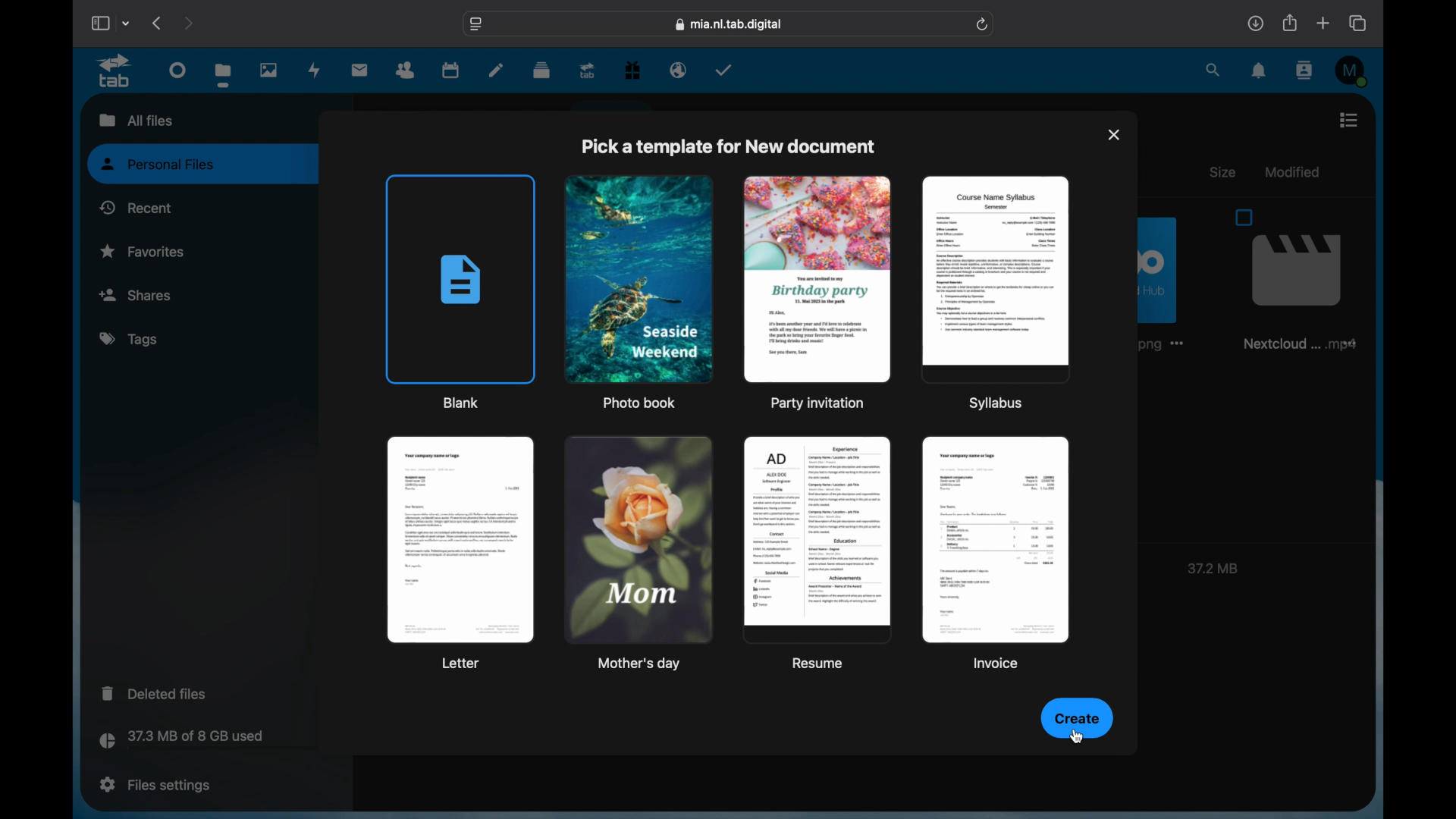 The image size is (1456, 819). What do you see at coordinates (270, 70) in the screenshot?
I see `photos` at bounding box center [270, 70].